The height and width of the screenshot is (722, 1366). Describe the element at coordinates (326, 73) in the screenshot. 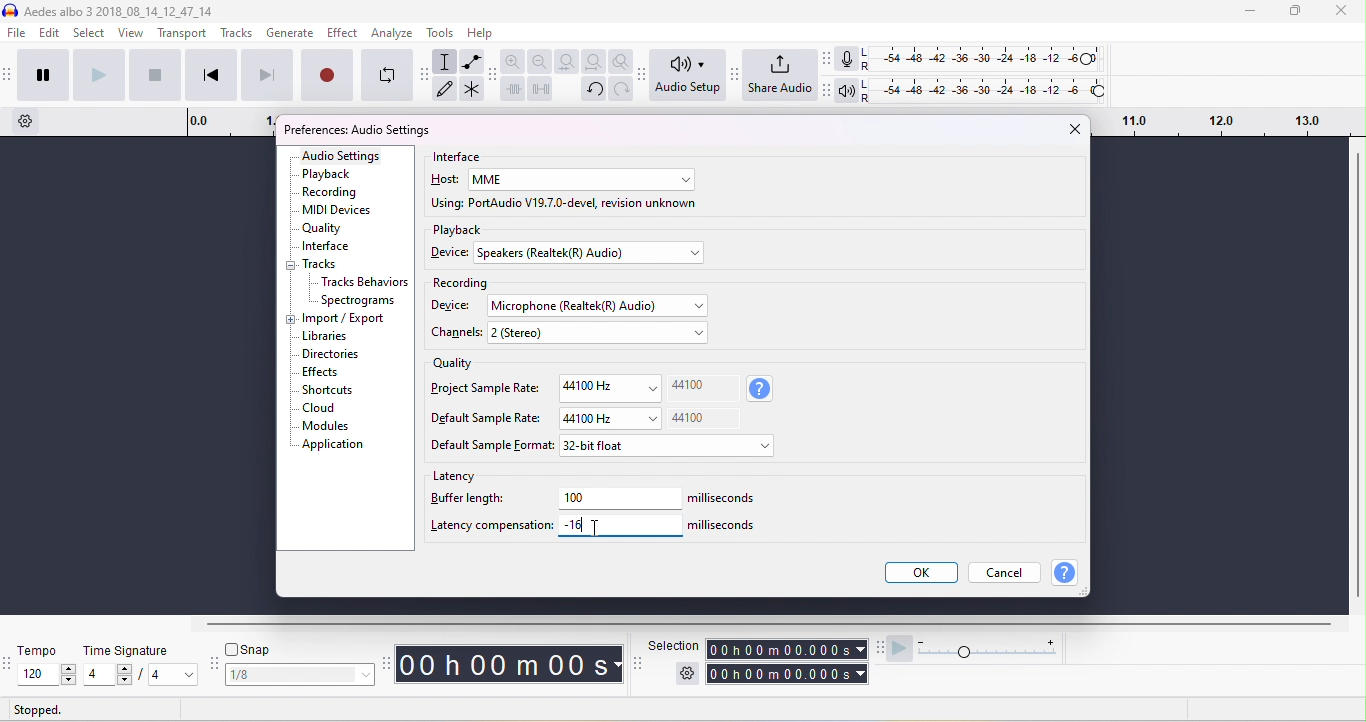

I see `record` at that location.